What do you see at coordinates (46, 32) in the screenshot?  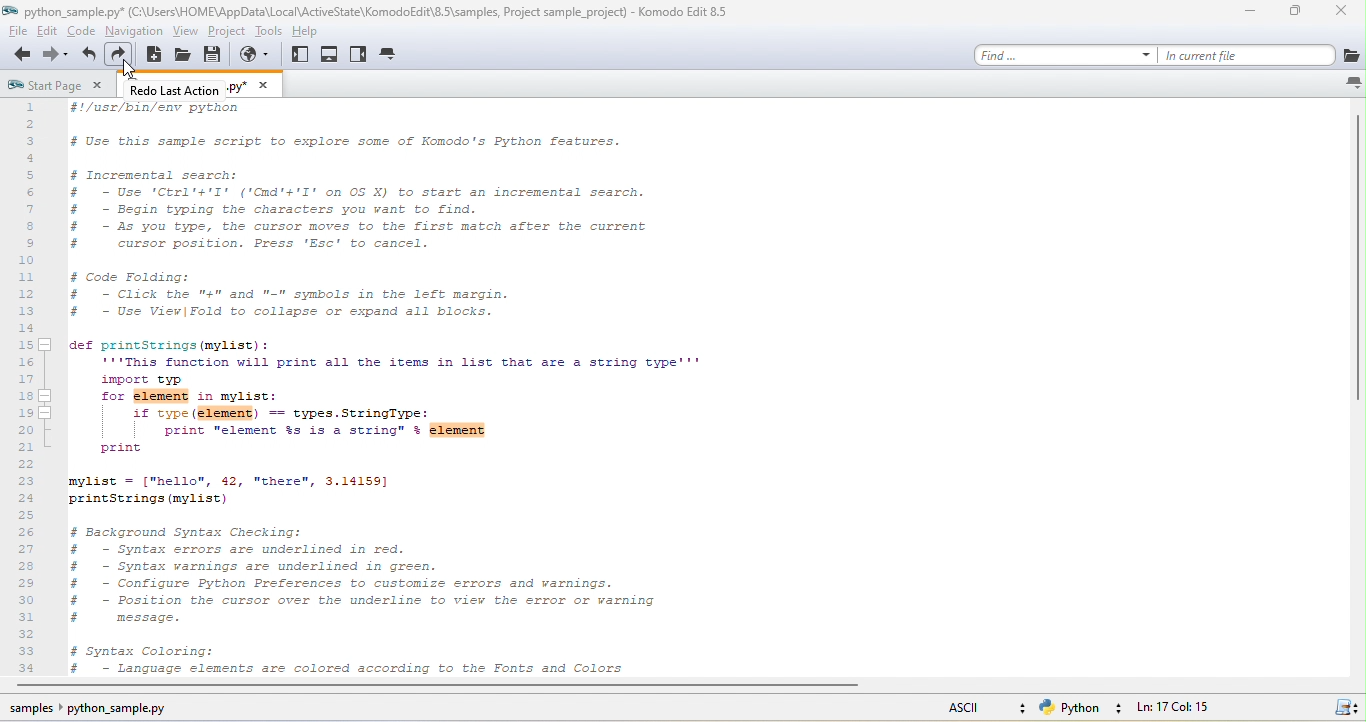 I see `edit` at bounding box center [46, 32].